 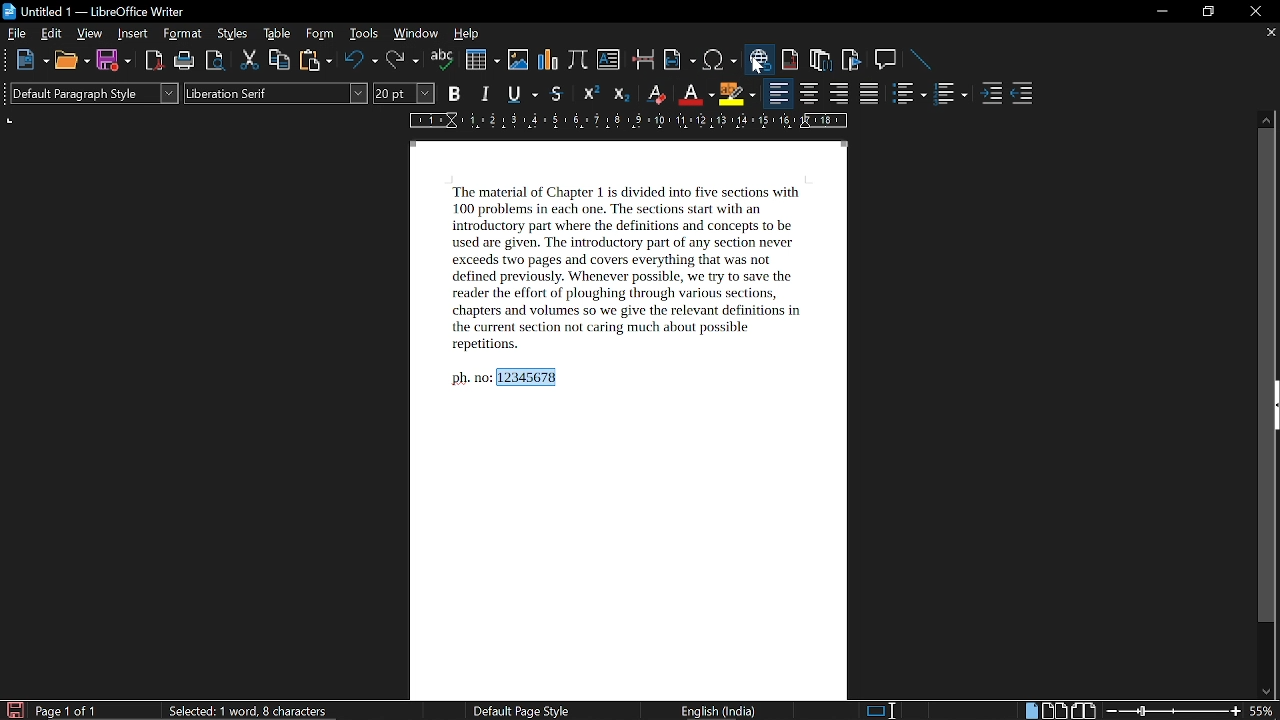 What do you see at coordinates (810, 95) in the screenshot?
I see `align center` at bounding box center [810, 95].